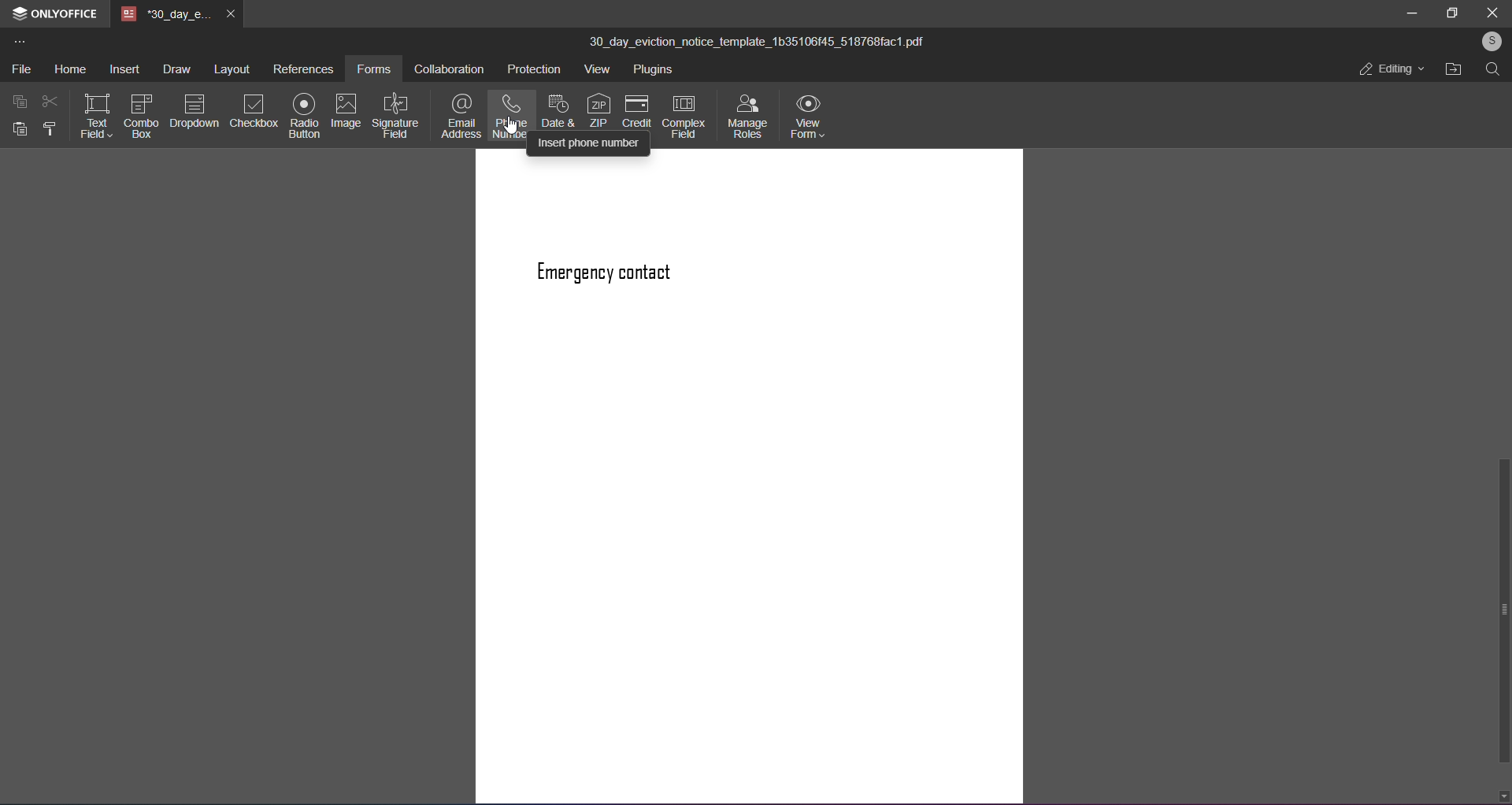 This screenshot has width=1512, height=805. What do you see at coordinates (229, 15) in the screenshot?
I see `close tab` at bounding box center [229, 15].